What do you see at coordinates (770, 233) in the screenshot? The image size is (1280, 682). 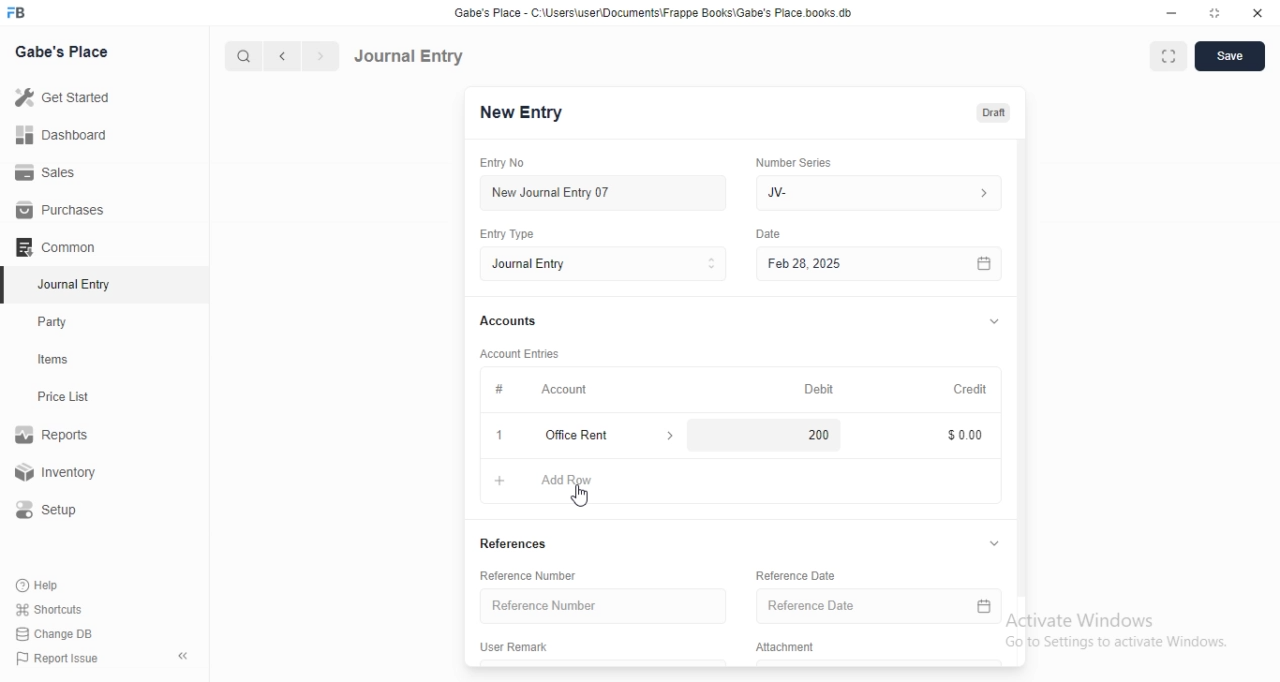 I see `Date` at bounding box center [770, 233].